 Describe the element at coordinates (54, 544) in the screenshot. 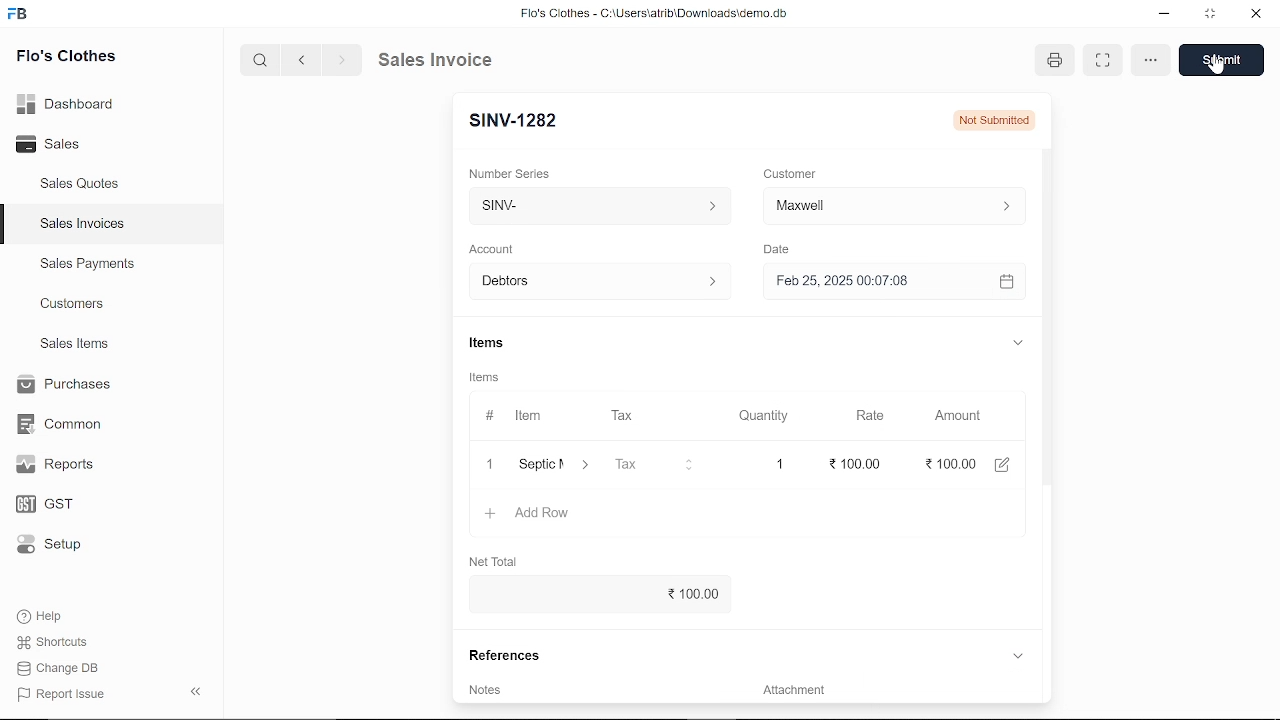

I see `Setup` at that location.